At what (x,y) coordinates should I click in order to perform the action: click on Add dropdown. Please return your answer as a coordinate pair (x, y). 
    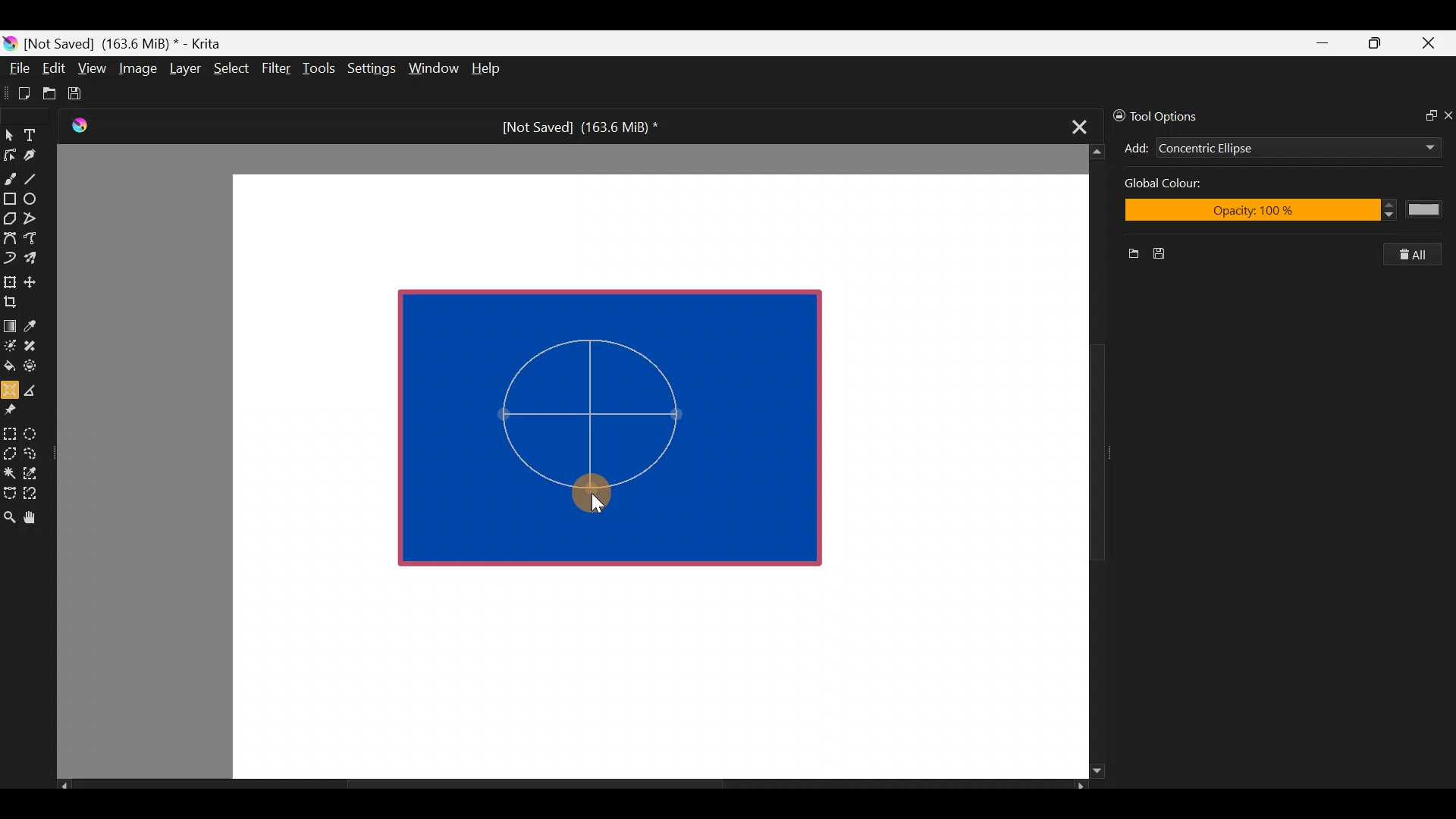
    Looking at the image, I should click on (1410, 147).